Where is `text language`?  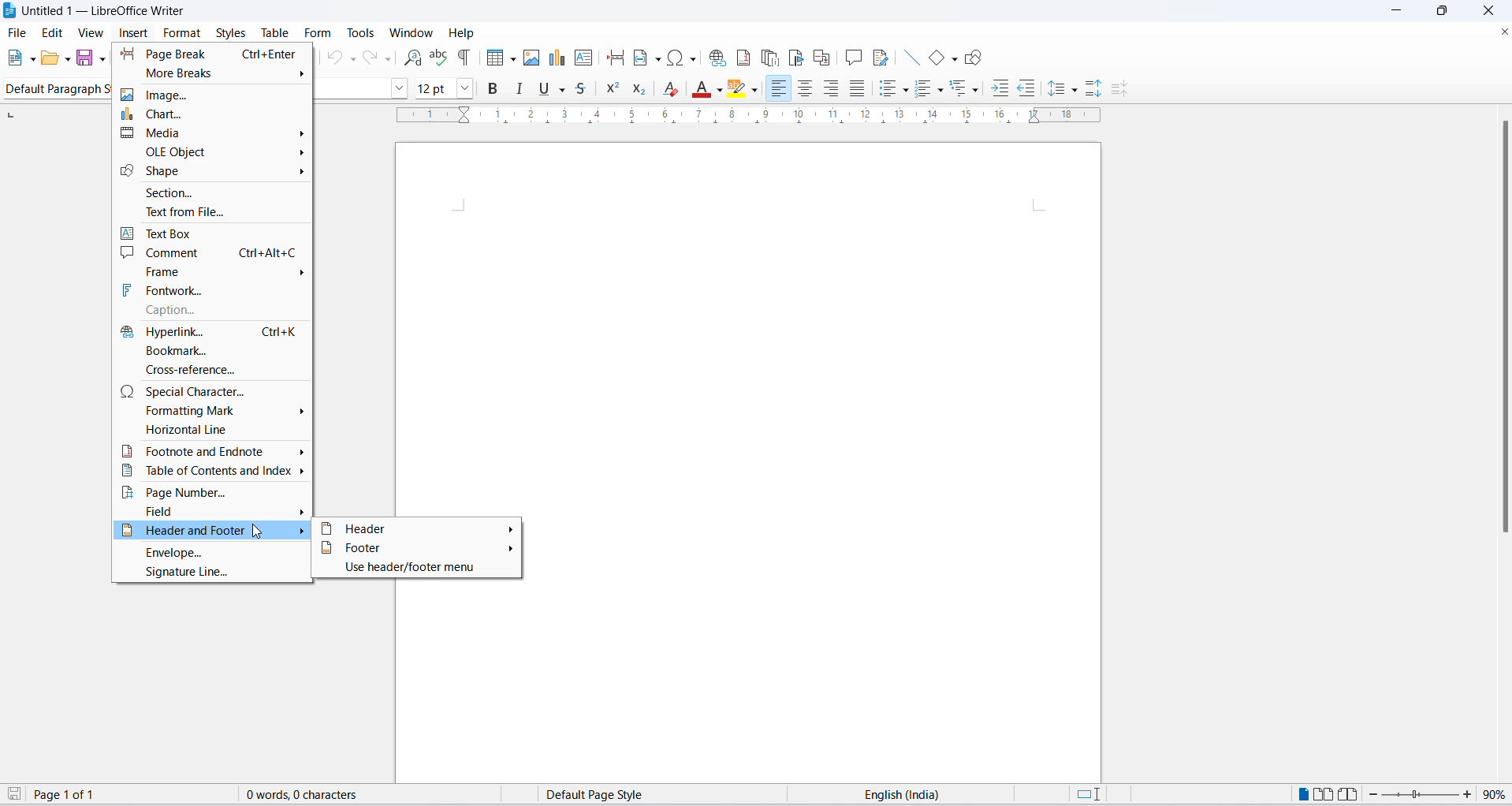 text language is located at coordinates (904, 794).